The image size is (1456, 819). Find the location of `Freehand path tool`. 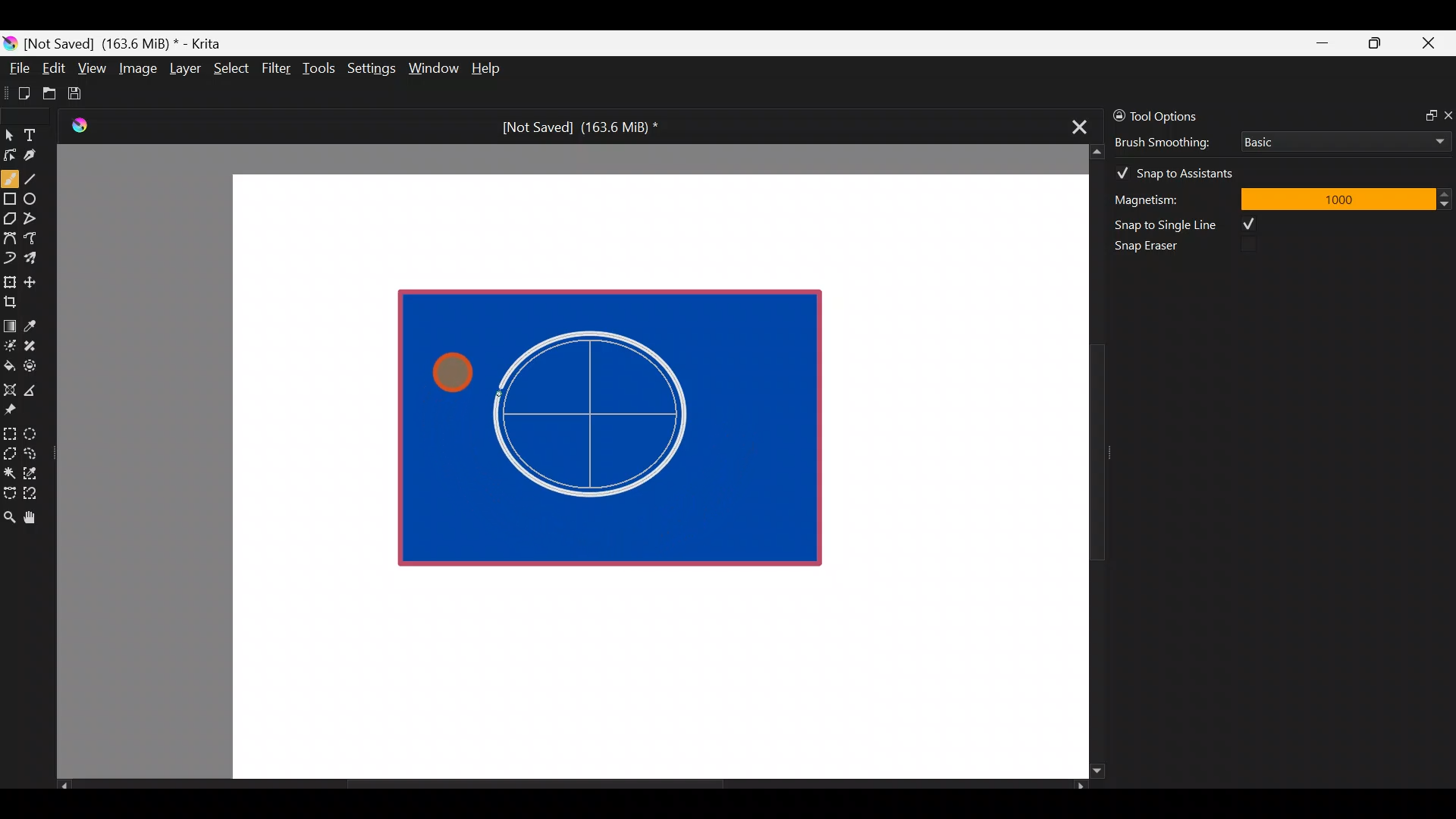

Freehand path tool is located at coordinates (38, 240).